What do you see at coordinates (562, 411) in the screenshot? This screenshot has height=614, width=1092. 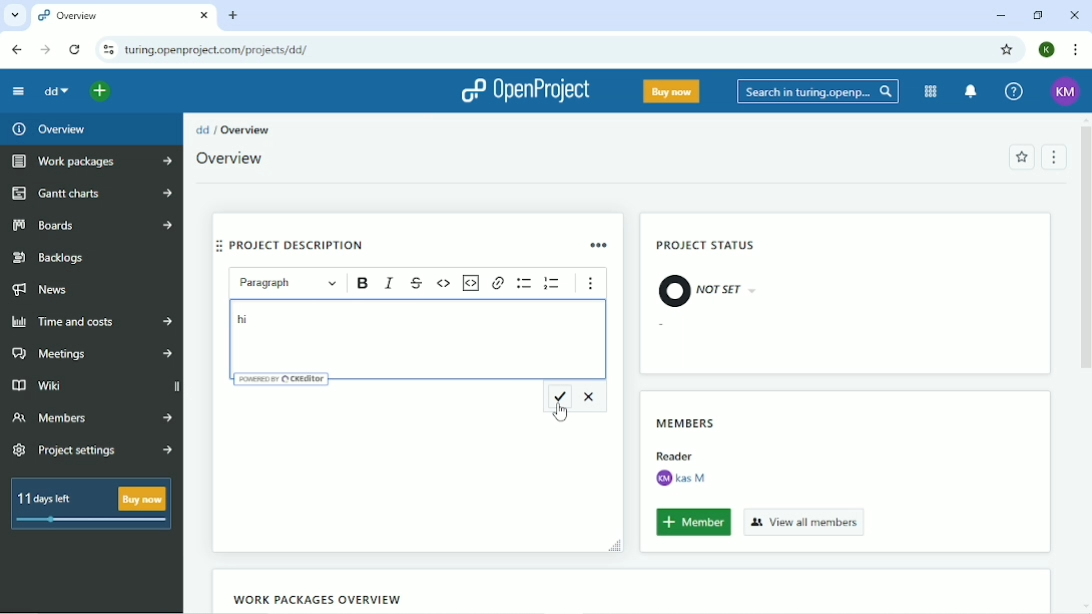 I see `Cursor` at bounding box center [562, 411].